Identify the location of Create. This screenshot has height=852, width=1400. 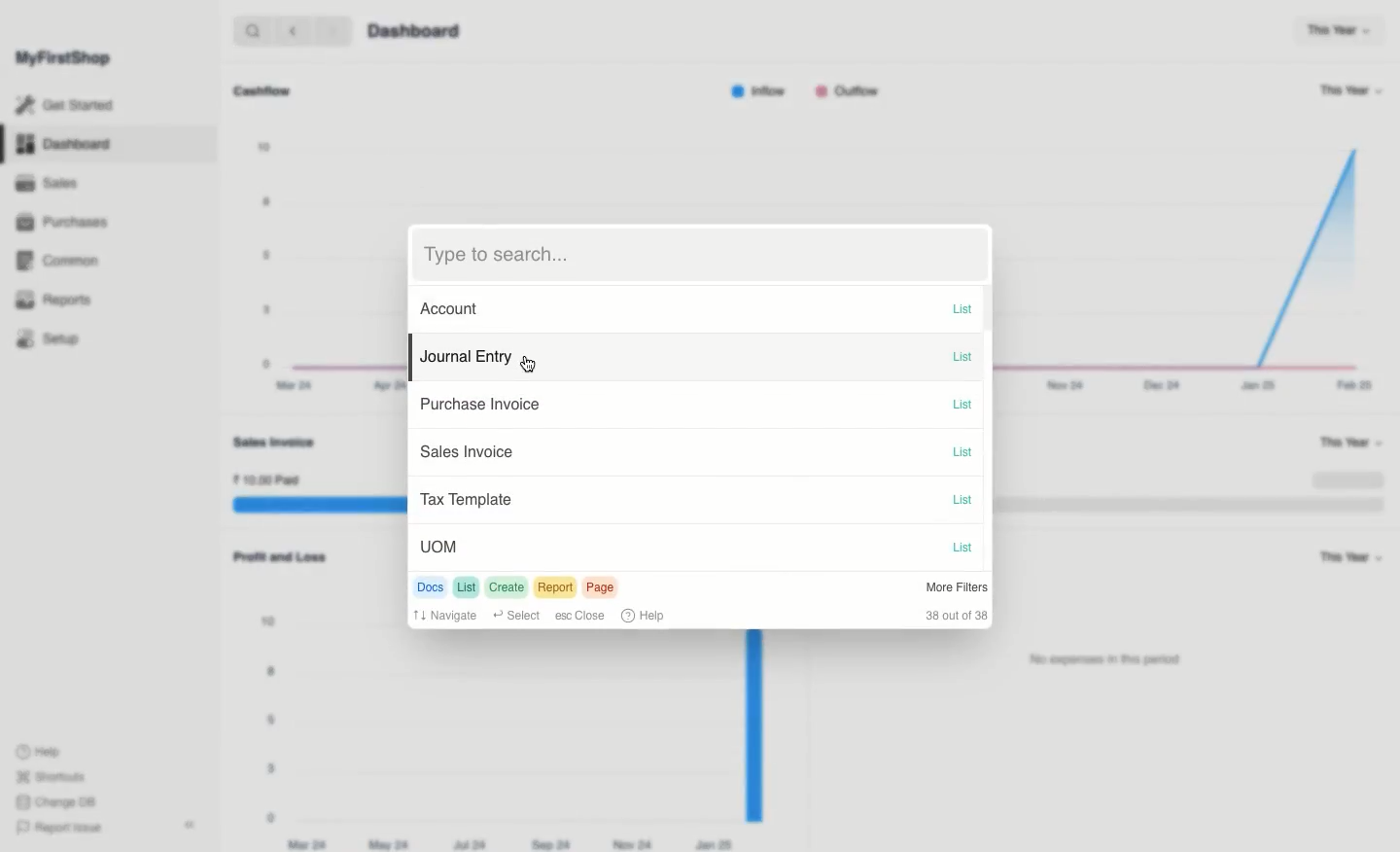
(505, 587).